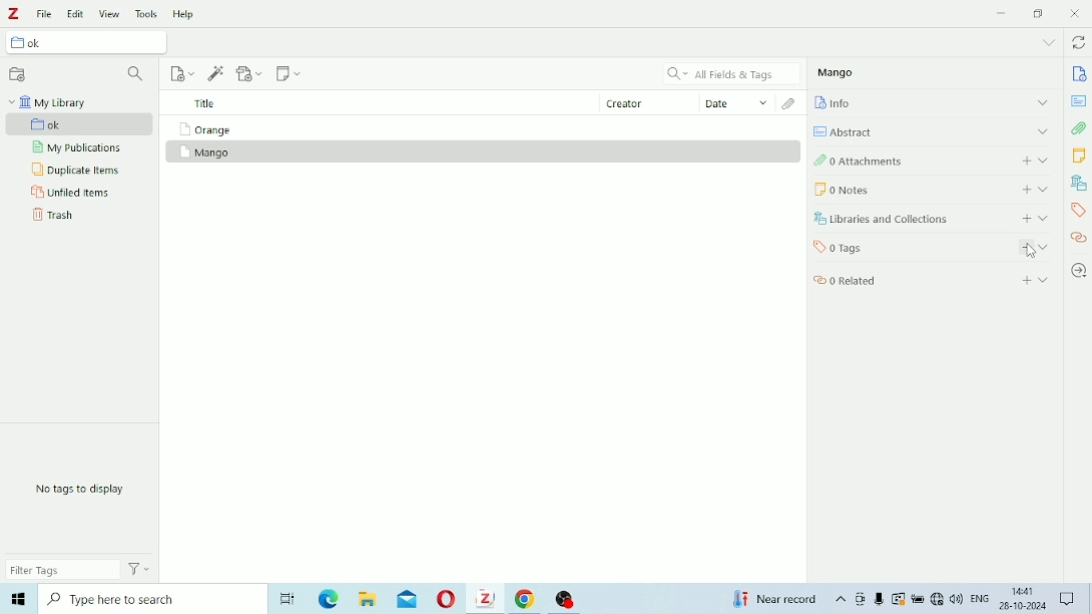 The image size is (1092, 614). What do you see at coordinates (17, 75) in the screenshot?
I see `New Collection` at bounding box center [17, 75].